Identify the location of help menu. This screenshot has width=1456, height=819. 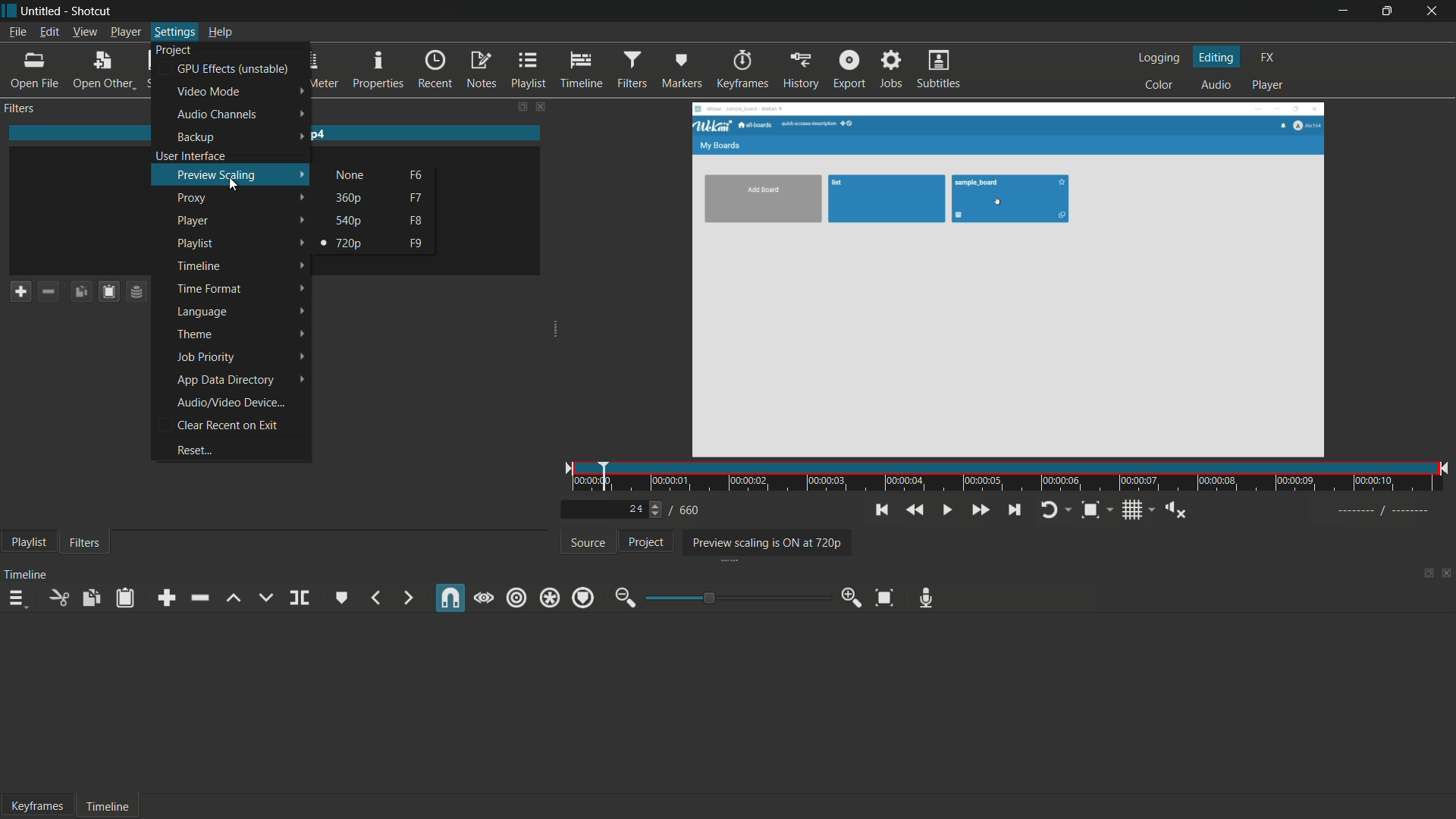
(218, 31).